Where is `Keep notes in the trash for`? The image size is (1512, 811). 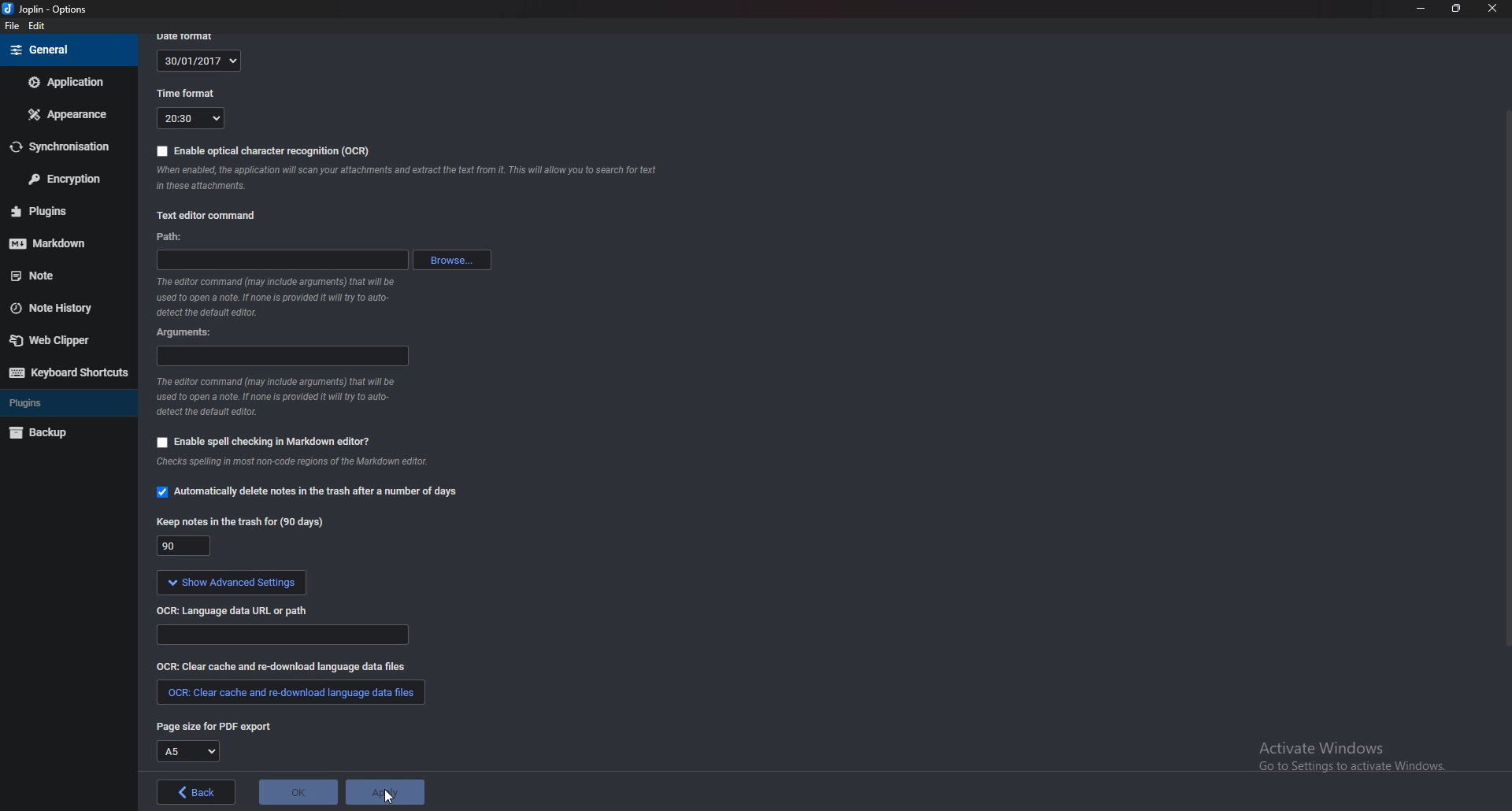
Keep notes in the trash for is located at coordinates (240, 524).